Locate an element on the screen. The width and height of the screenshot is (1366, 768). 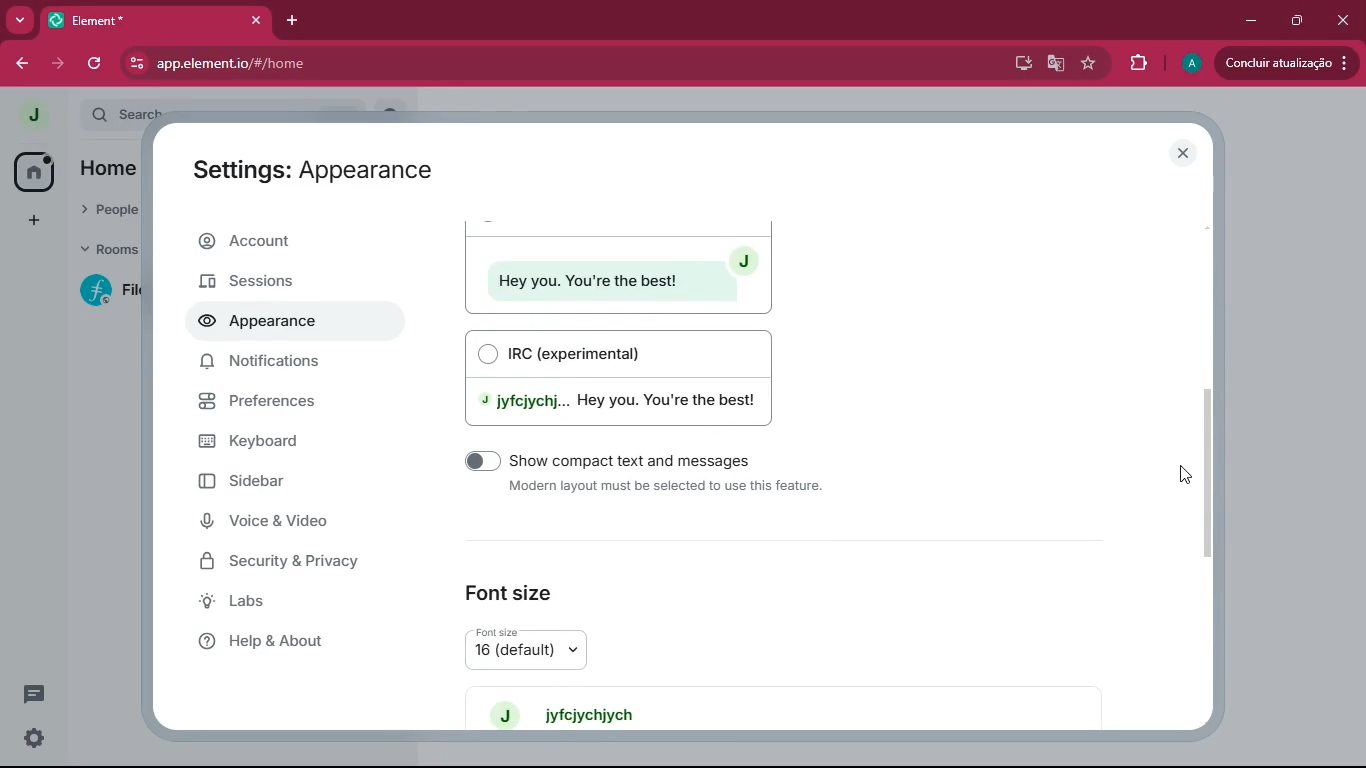
home is located at coordinates (33, 171).